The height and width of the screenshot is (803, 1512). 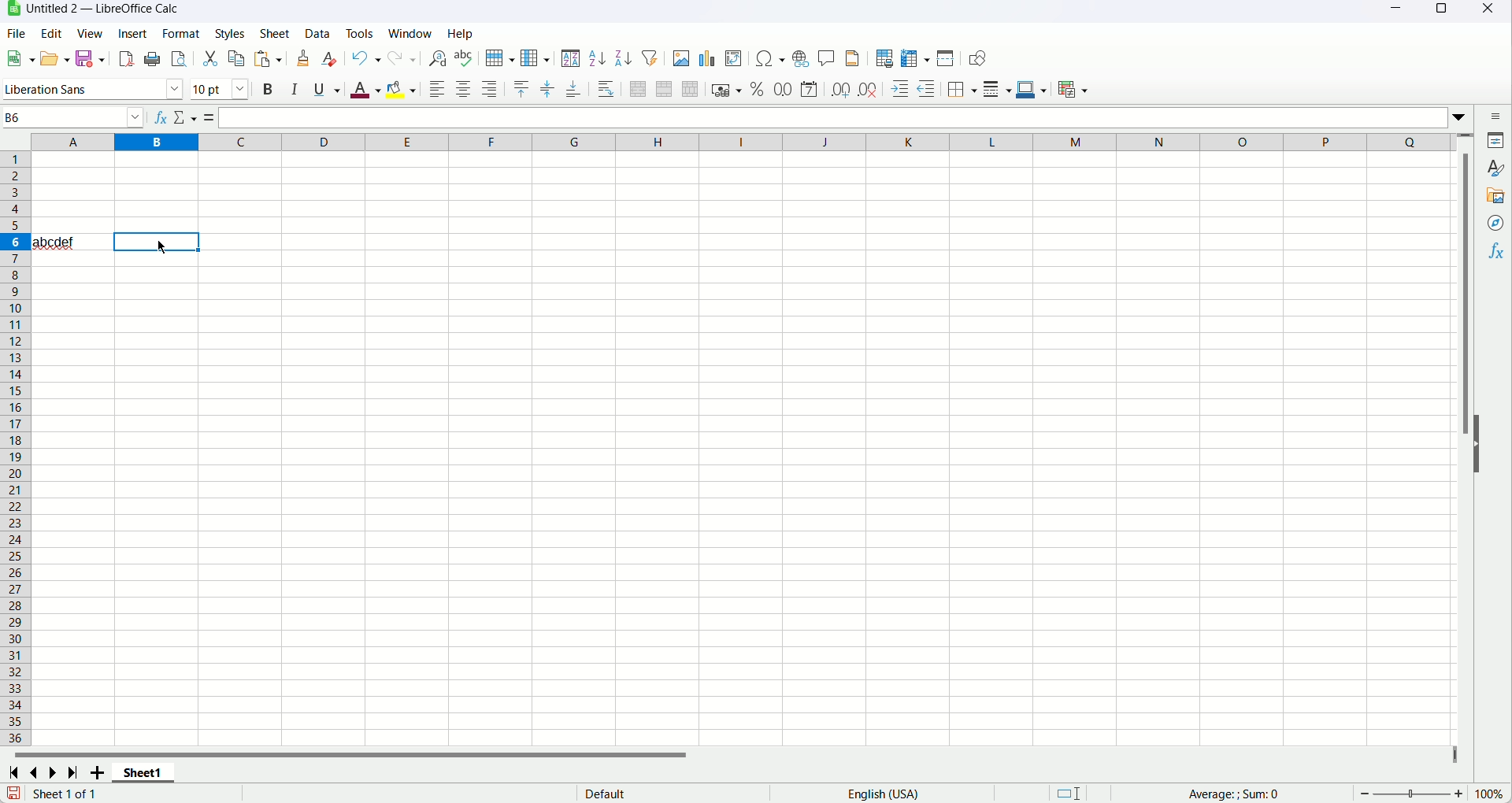 What do you see at coordinates (157, 117) in the screenshot?
I see `function wizard` at bounding box center [157, 117].